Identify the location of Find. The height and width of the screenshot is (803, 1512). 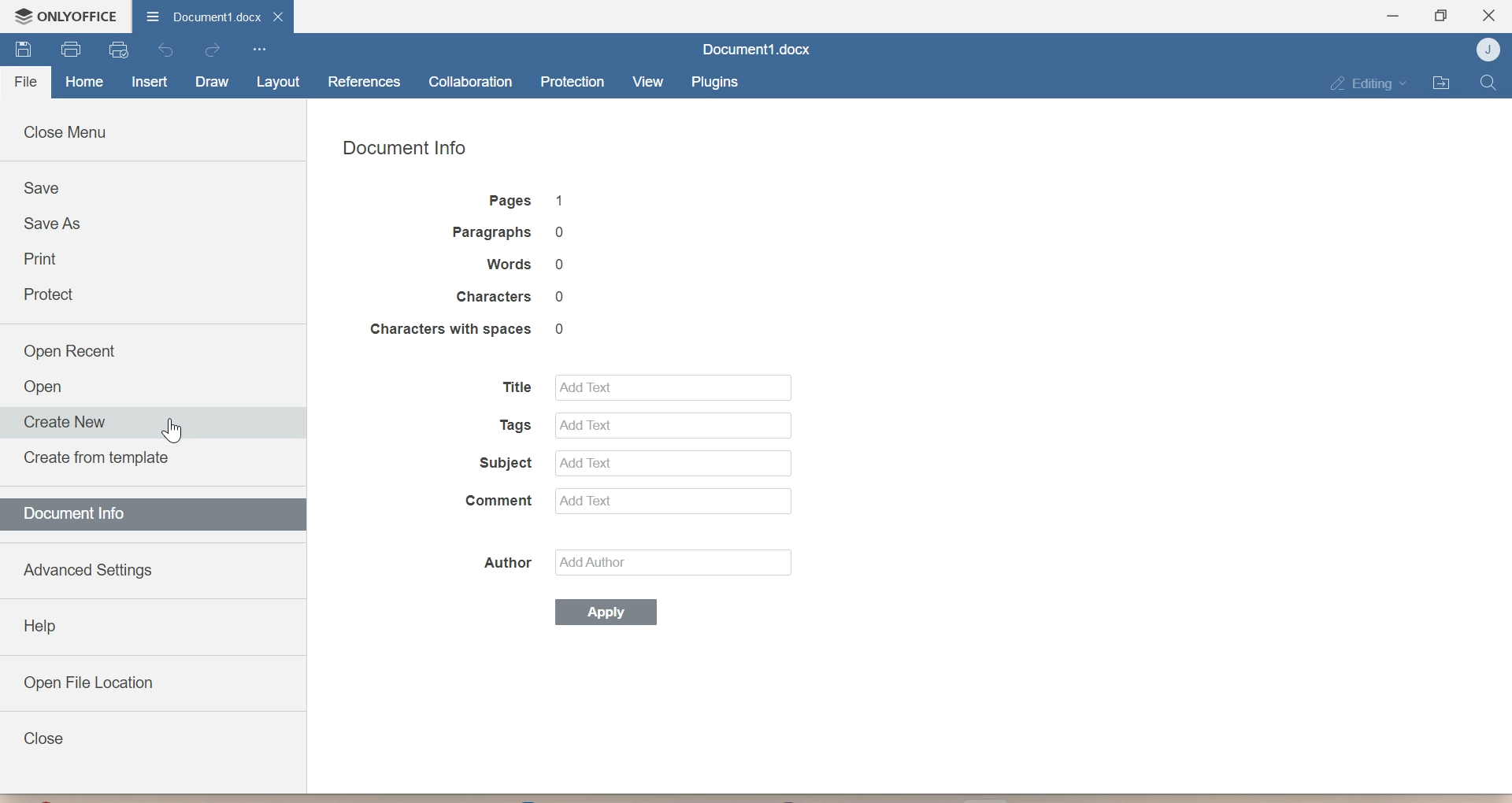
(1488, 83).